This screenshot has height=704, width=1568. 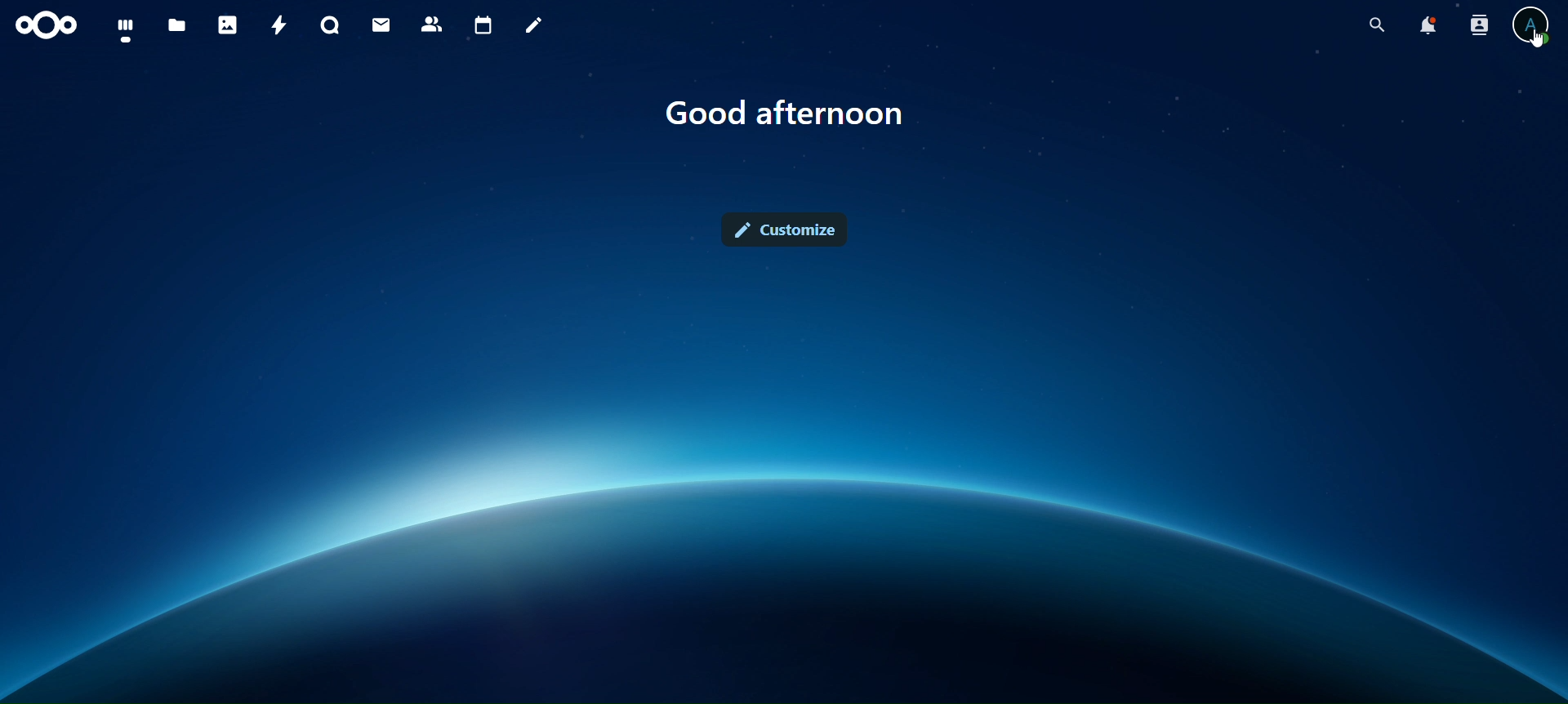 What do you see at coordinates (383, 25) in the screenshot?
I see `mail` at bounding box center [383, 25].